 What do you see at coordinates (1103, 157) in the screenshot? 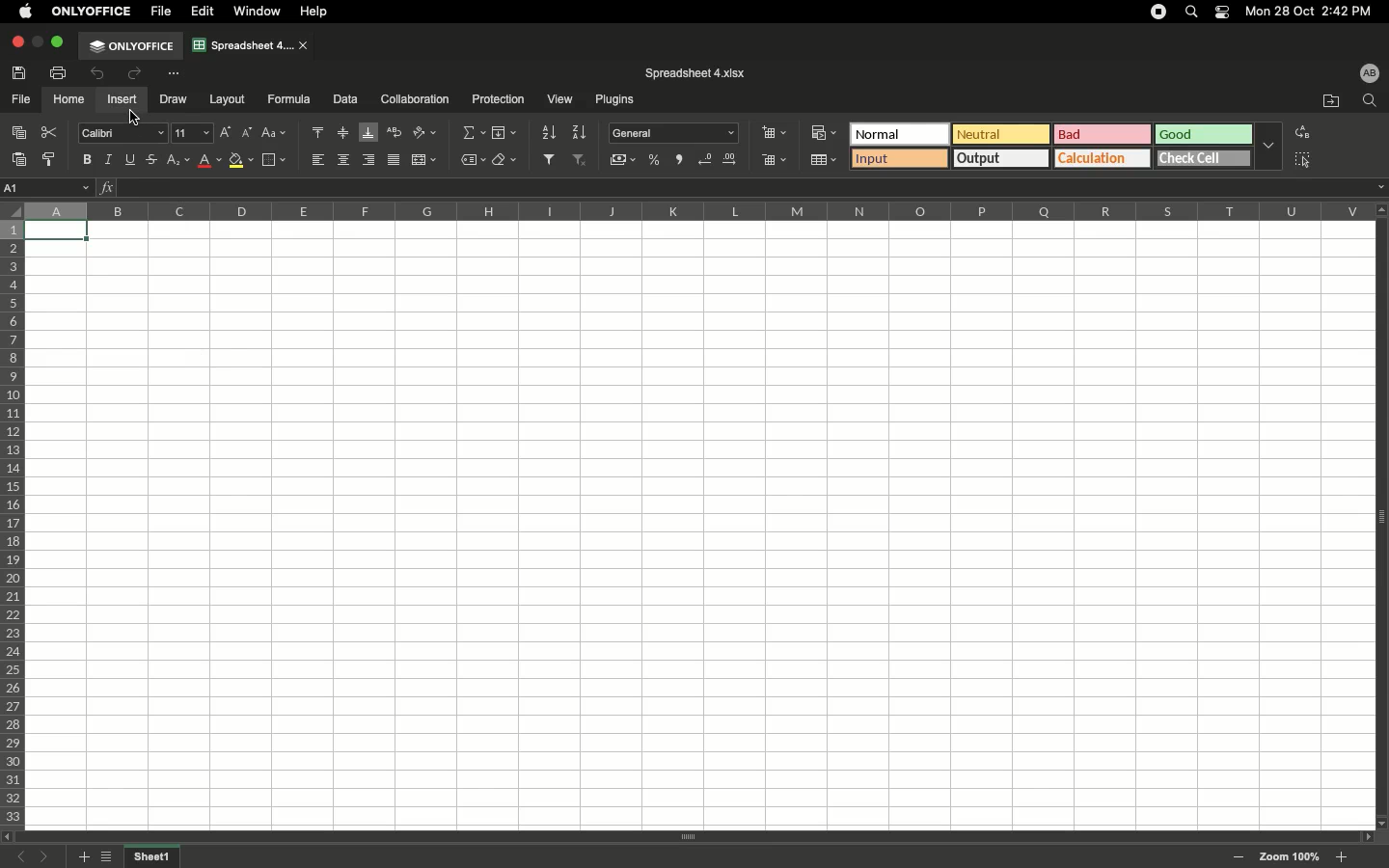
I see `Calculation` at bounding box center [1103, 157].